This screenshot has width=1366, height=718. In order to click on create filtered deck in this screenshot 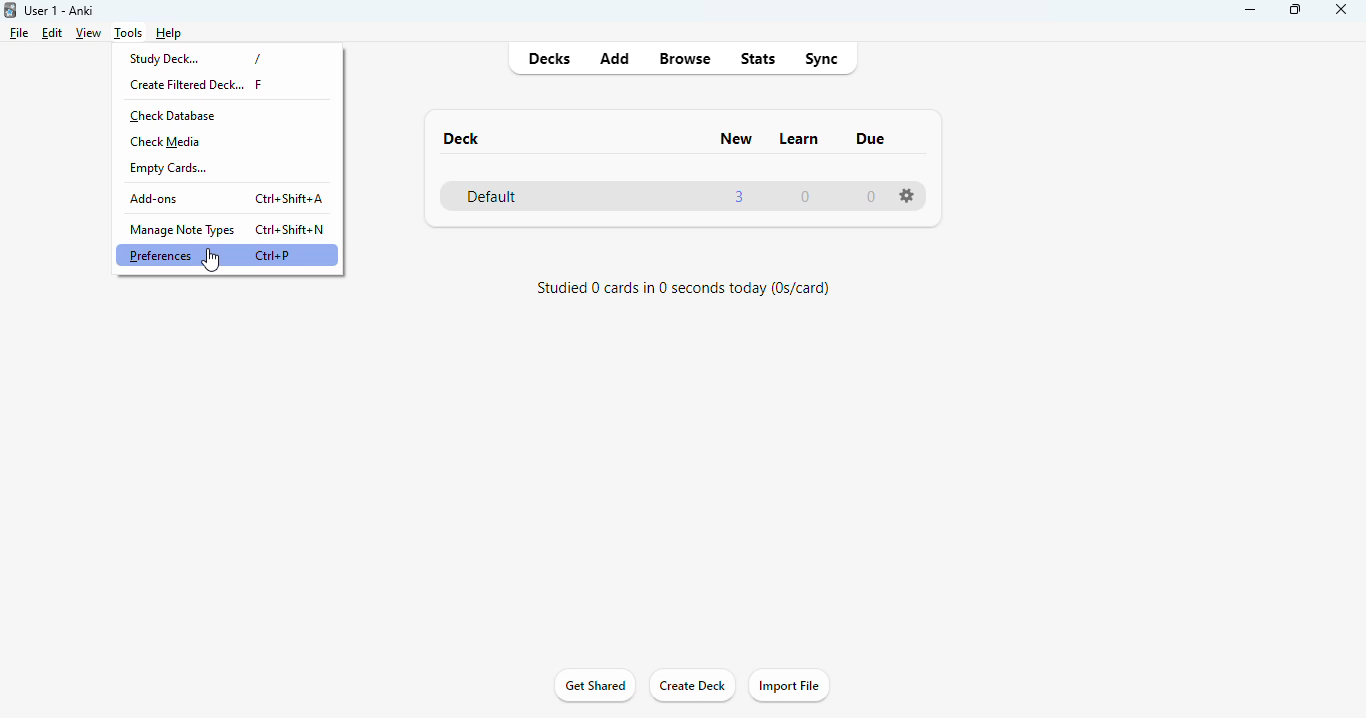, I will do `click(187, 85)`.